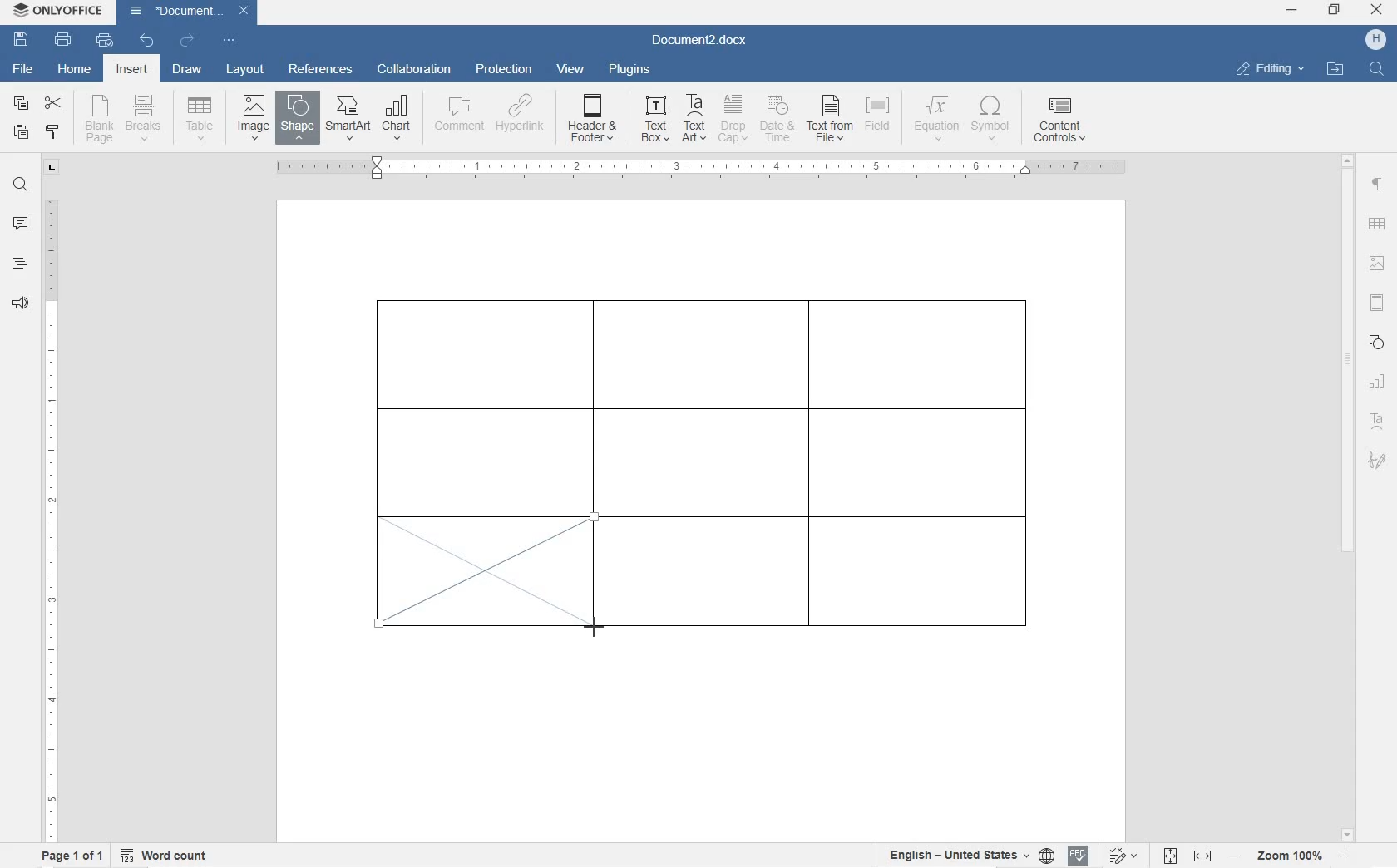 The image size is (1397, 868). What do you see at coordinates (53, 170) in the screenshot?
I see `tab` at bounding box center [53, 170].